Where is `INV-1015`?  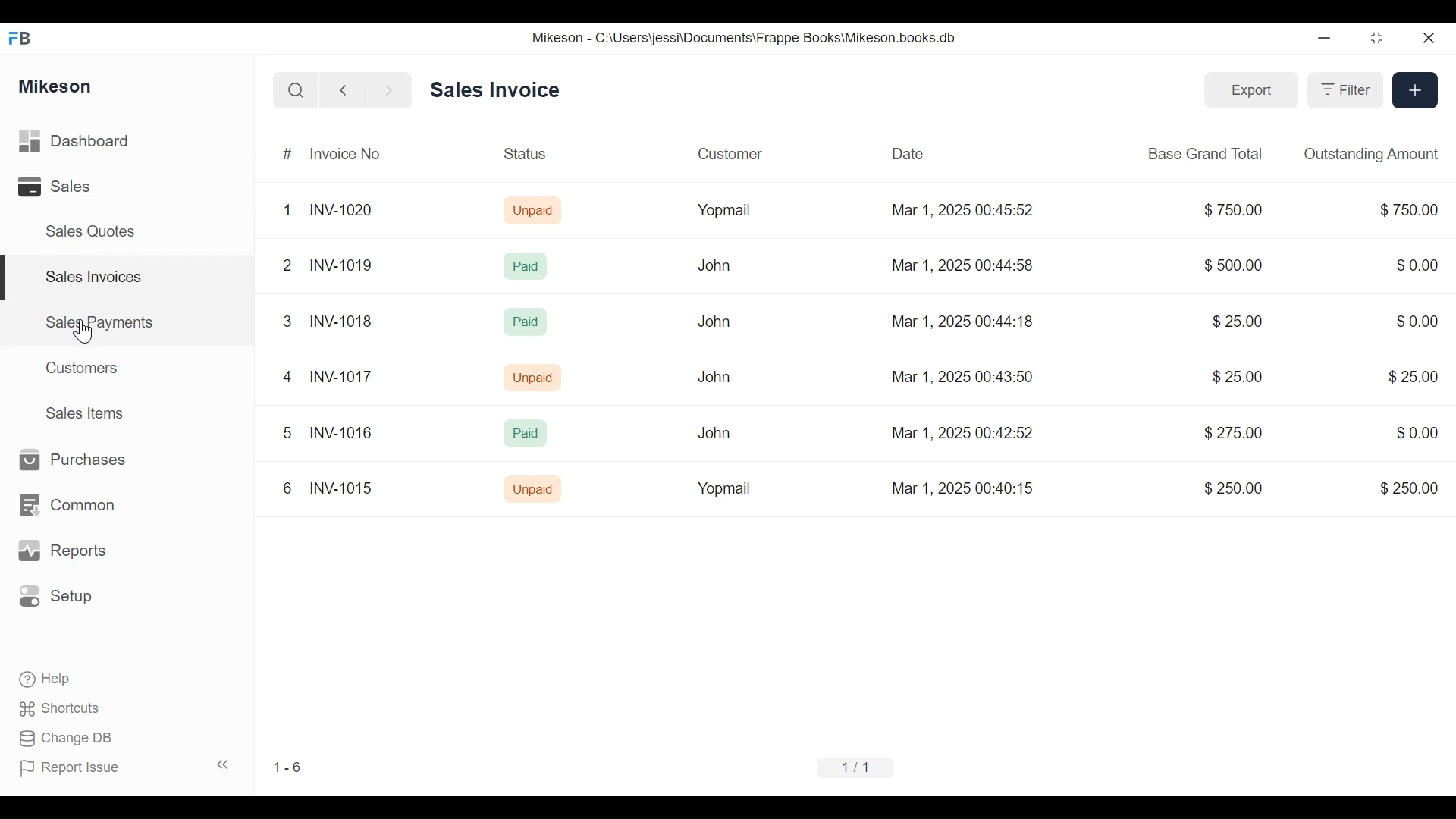
INV-1015 is located at coordinates (342, 488).